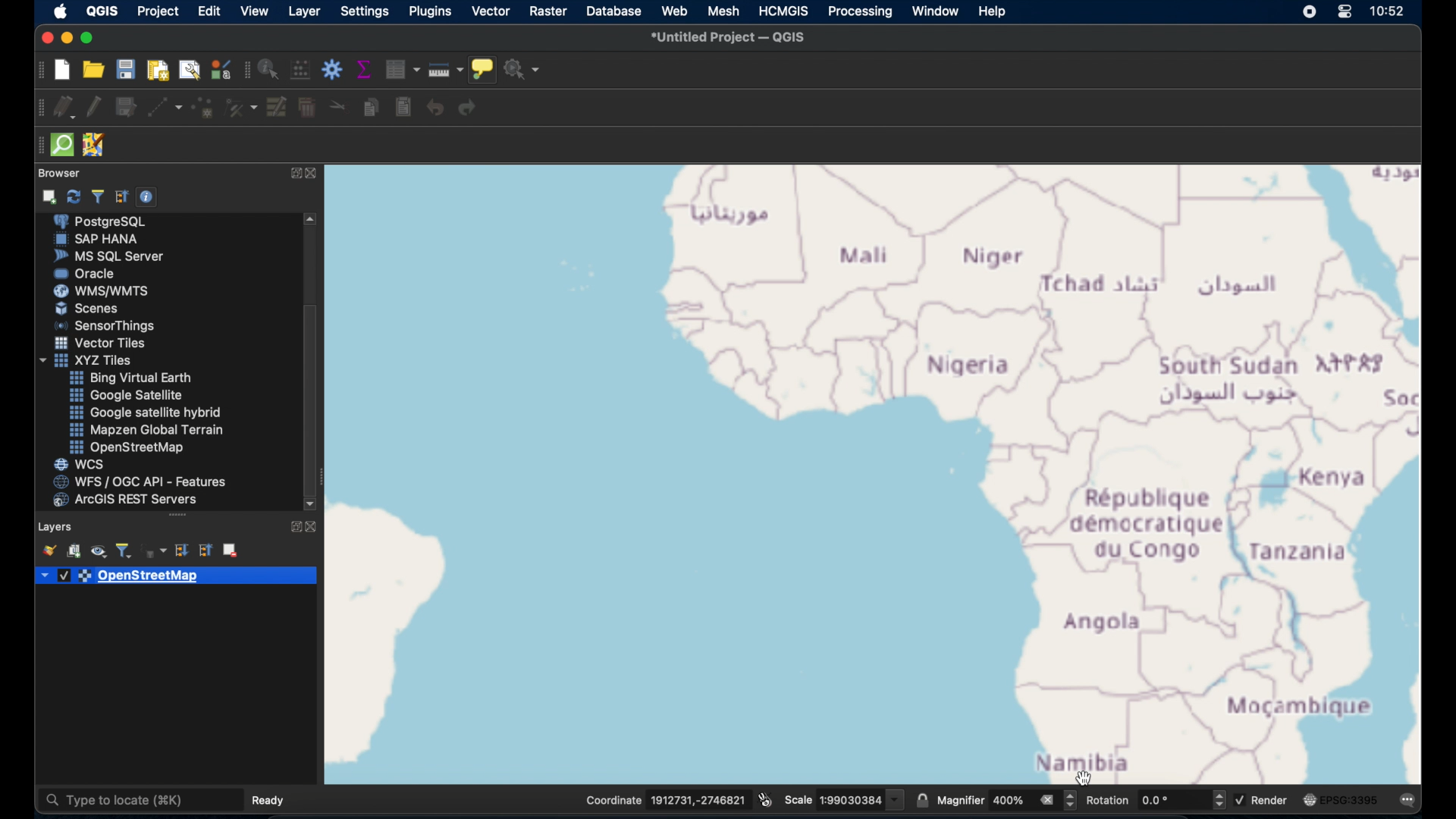 The image size is (1456, 819). I want to click on copy features, so click(368, 108).